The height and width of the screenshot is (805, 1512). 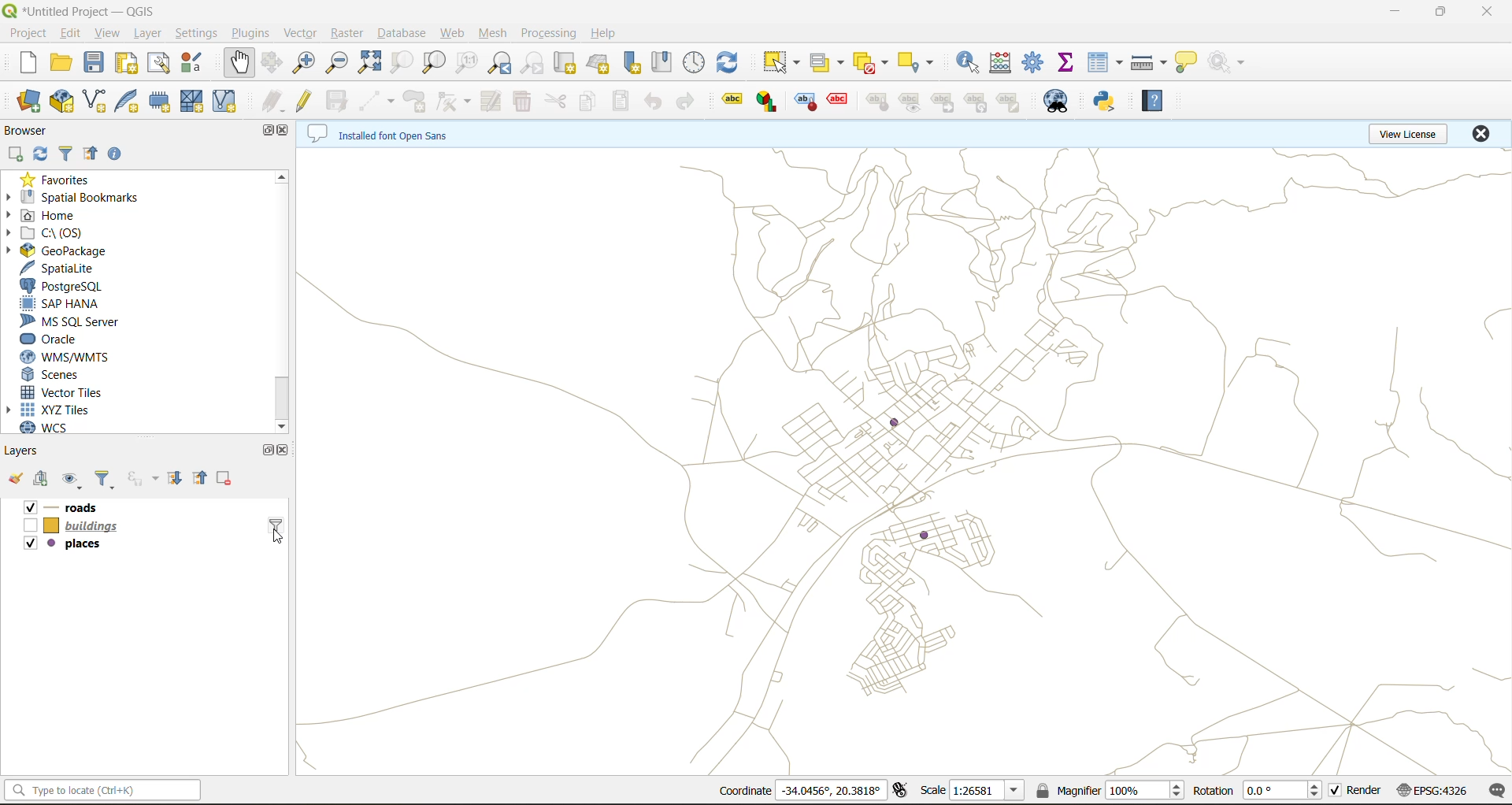 I want to click on canvas, so click(x=947, y=463).